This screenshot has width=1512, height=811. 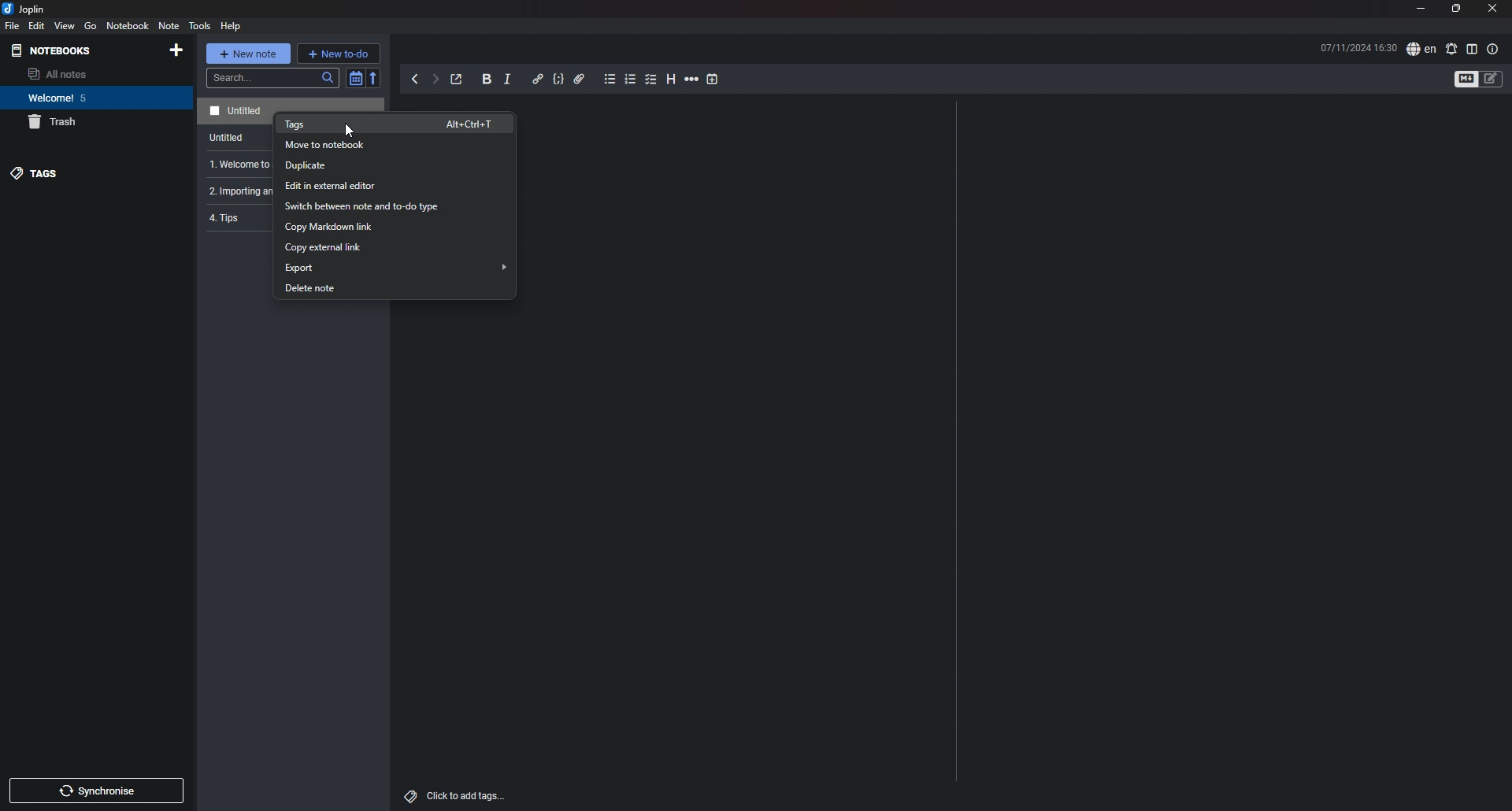 What do you see at coordinates (76, 172) in the screenshot?
I see `tags` at bounding box center [76, 172].